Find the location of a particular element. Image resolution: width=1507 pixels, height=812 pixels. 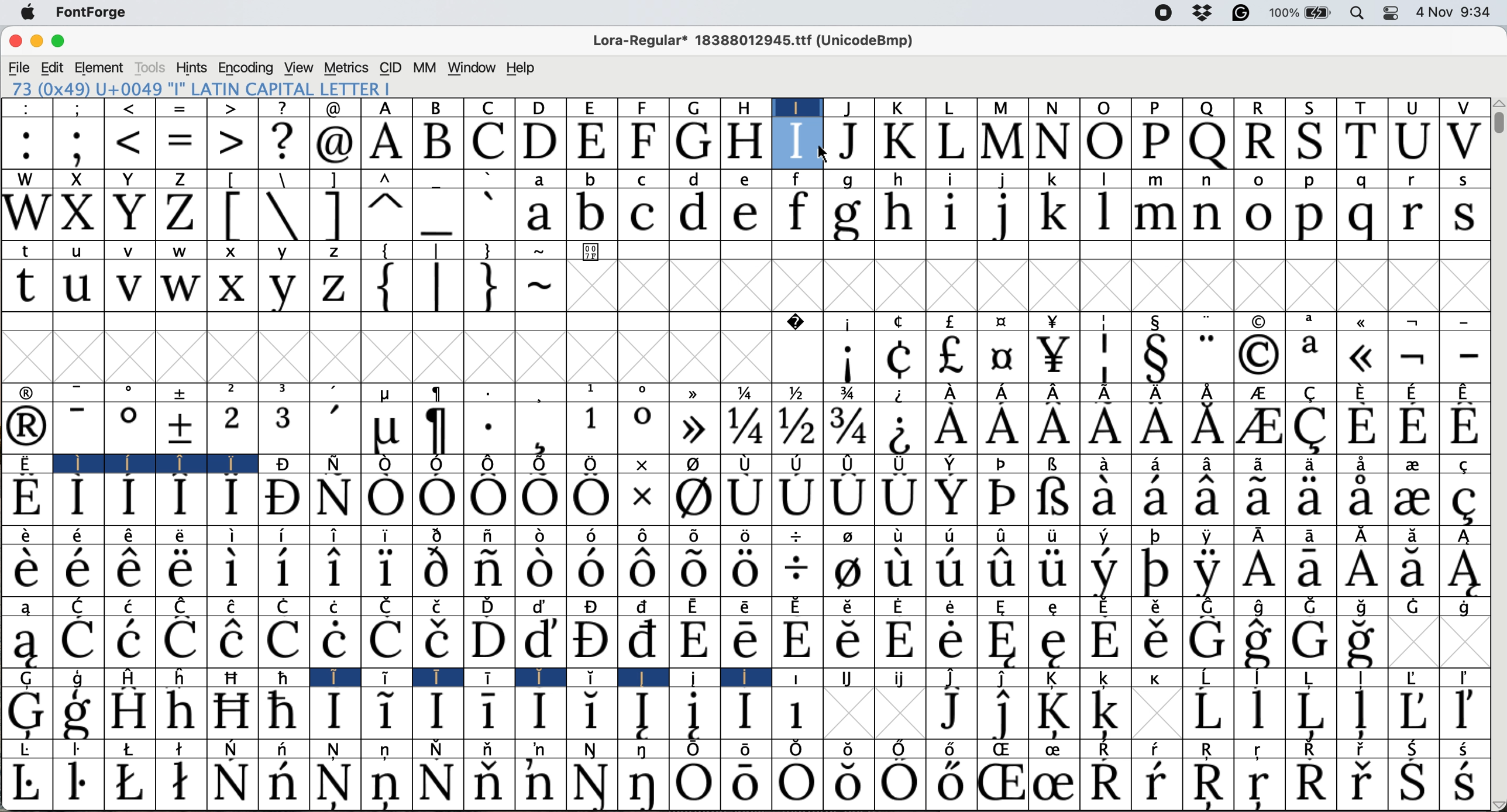

symbol is located at coordinates (387, 394).